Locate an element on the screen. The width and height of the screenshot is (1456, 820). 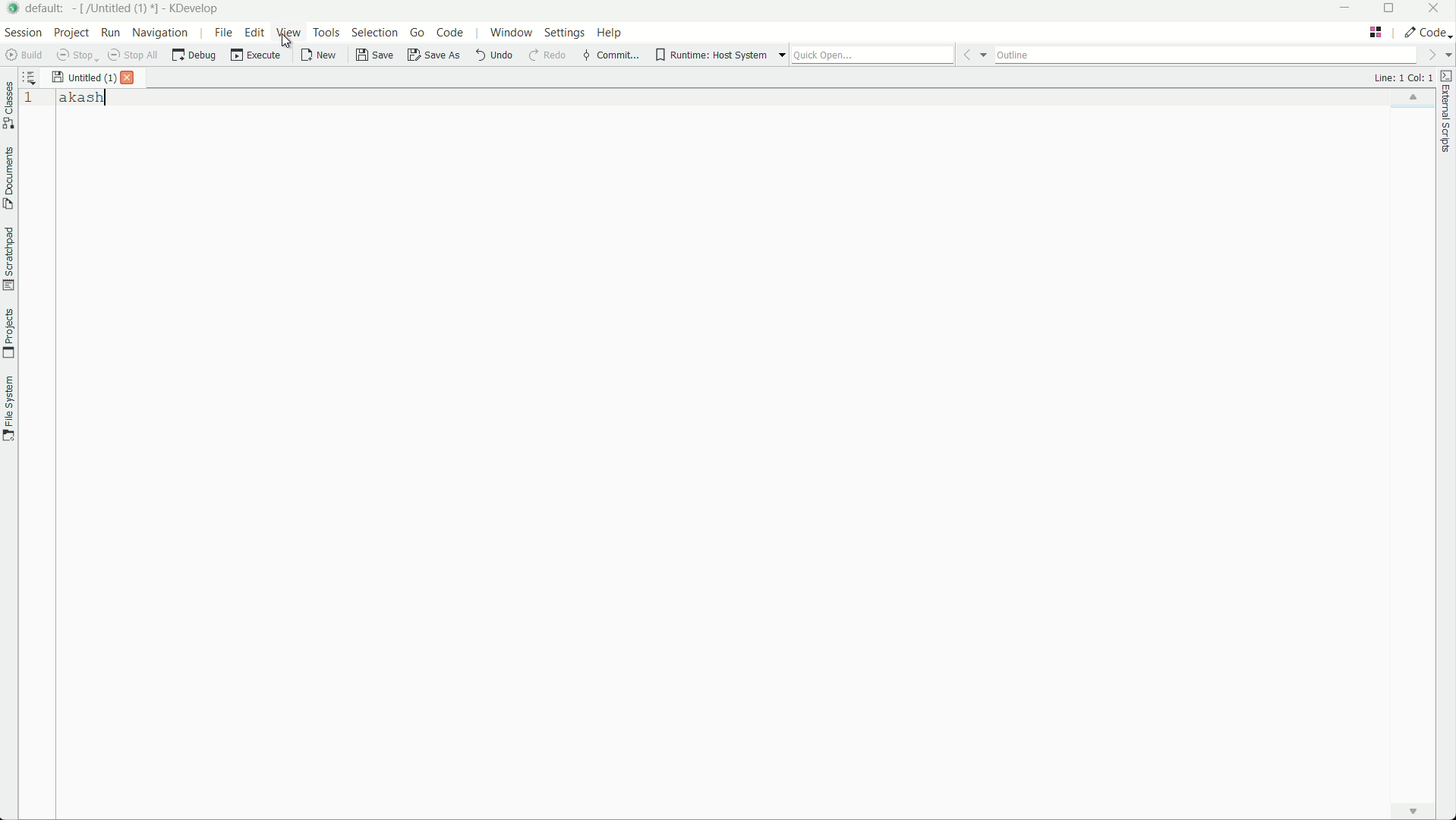
navigation is located at coordinates (161, 33).